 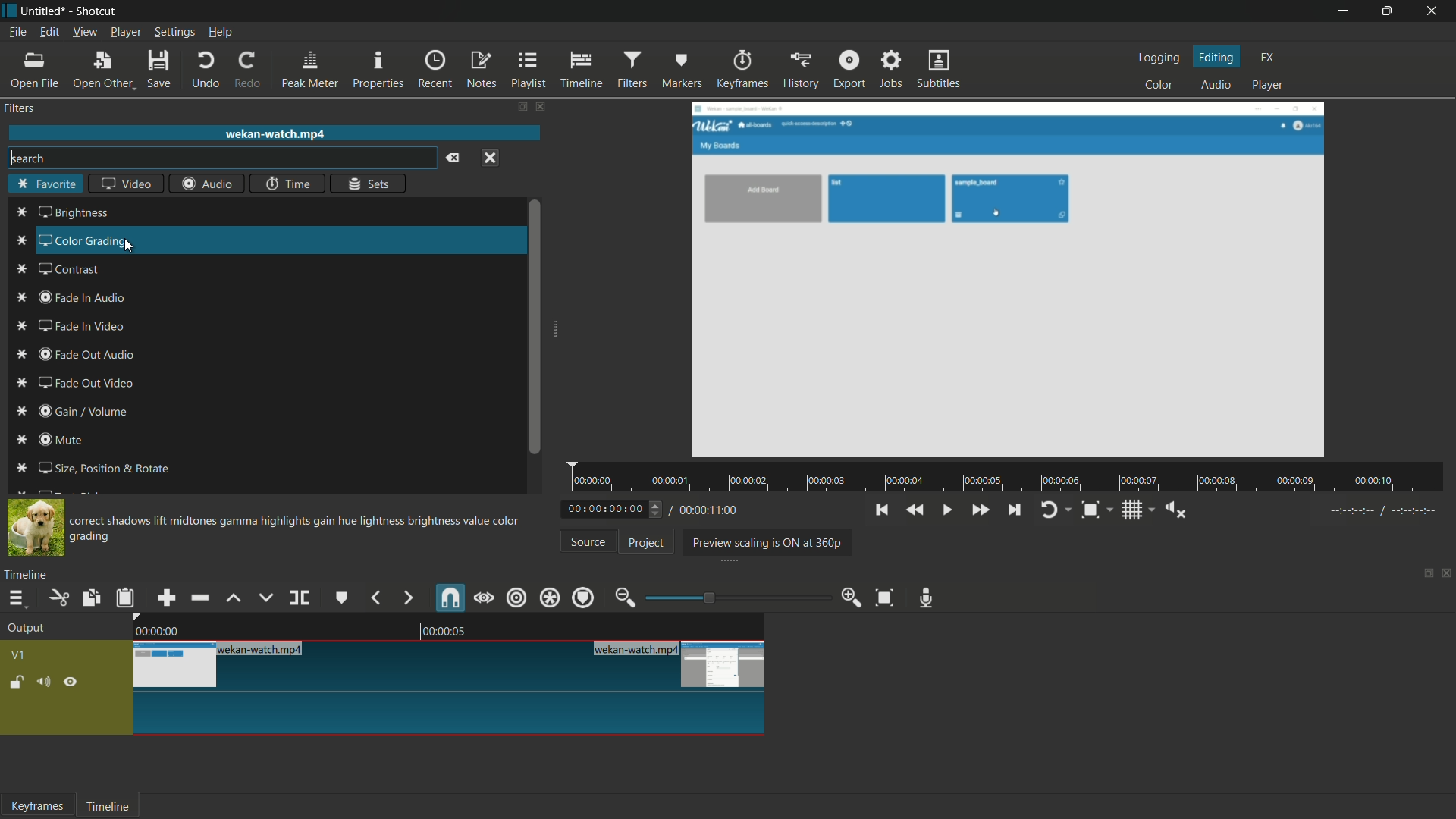 What do you see at coordinates (167, 598) in the screenshot?
I see `append` at bounding box center [167, 598].